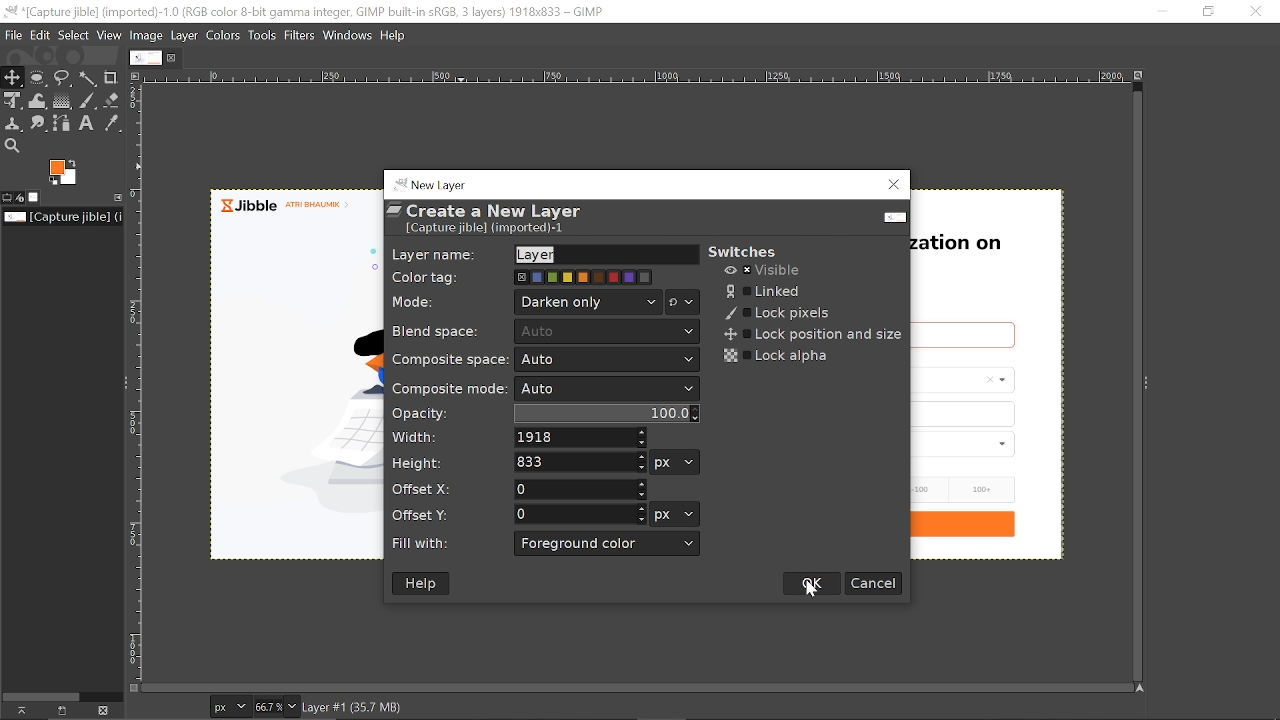 This screenshot has width=1280, height=720. Describe the element at coordinates (111, 77) in the screenshot. I see `Crop tool` at that location.